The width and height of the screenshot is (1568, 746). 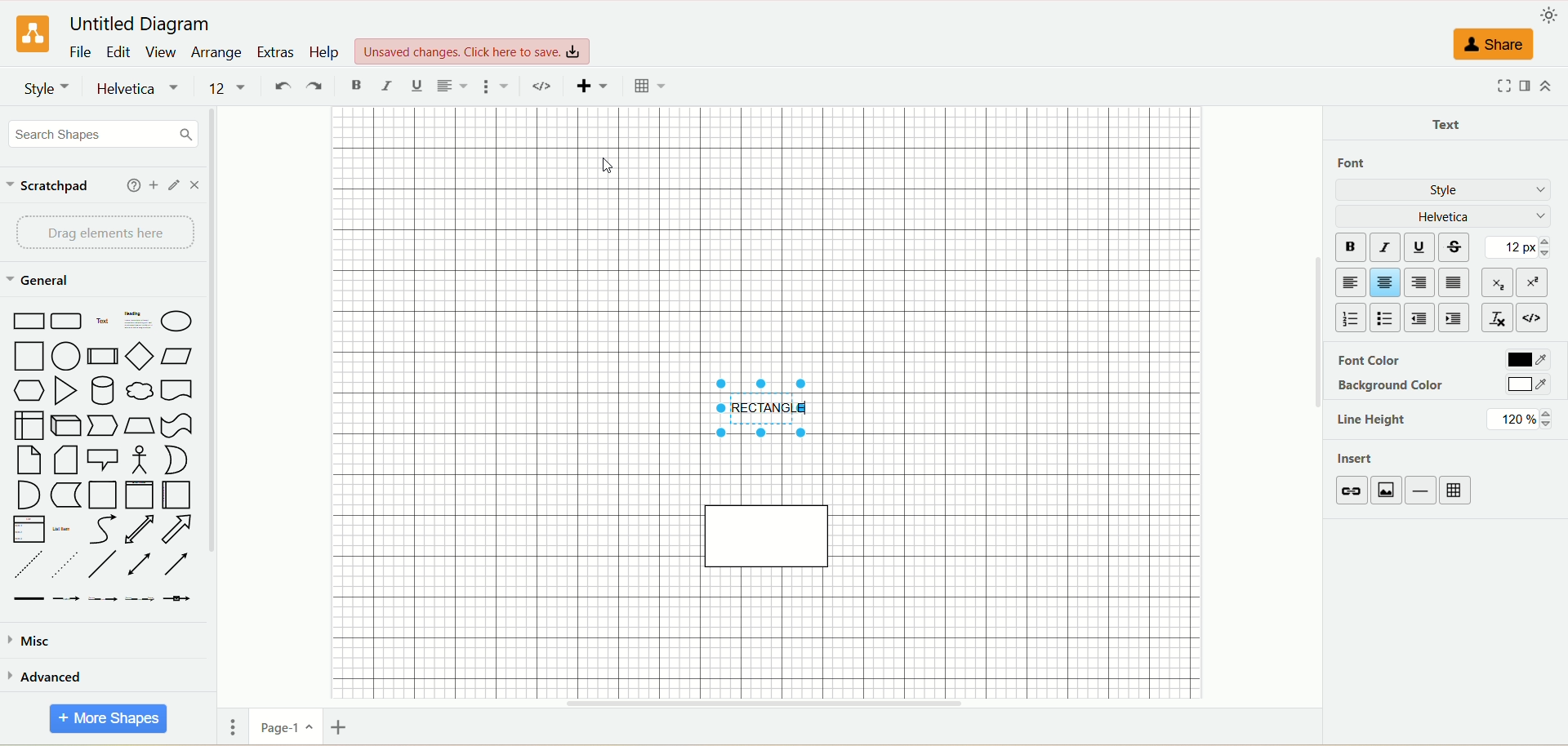 What do you see at coordinates (142, 460) in the screenshot?
I see `actor` at bounding box center [142, 460].